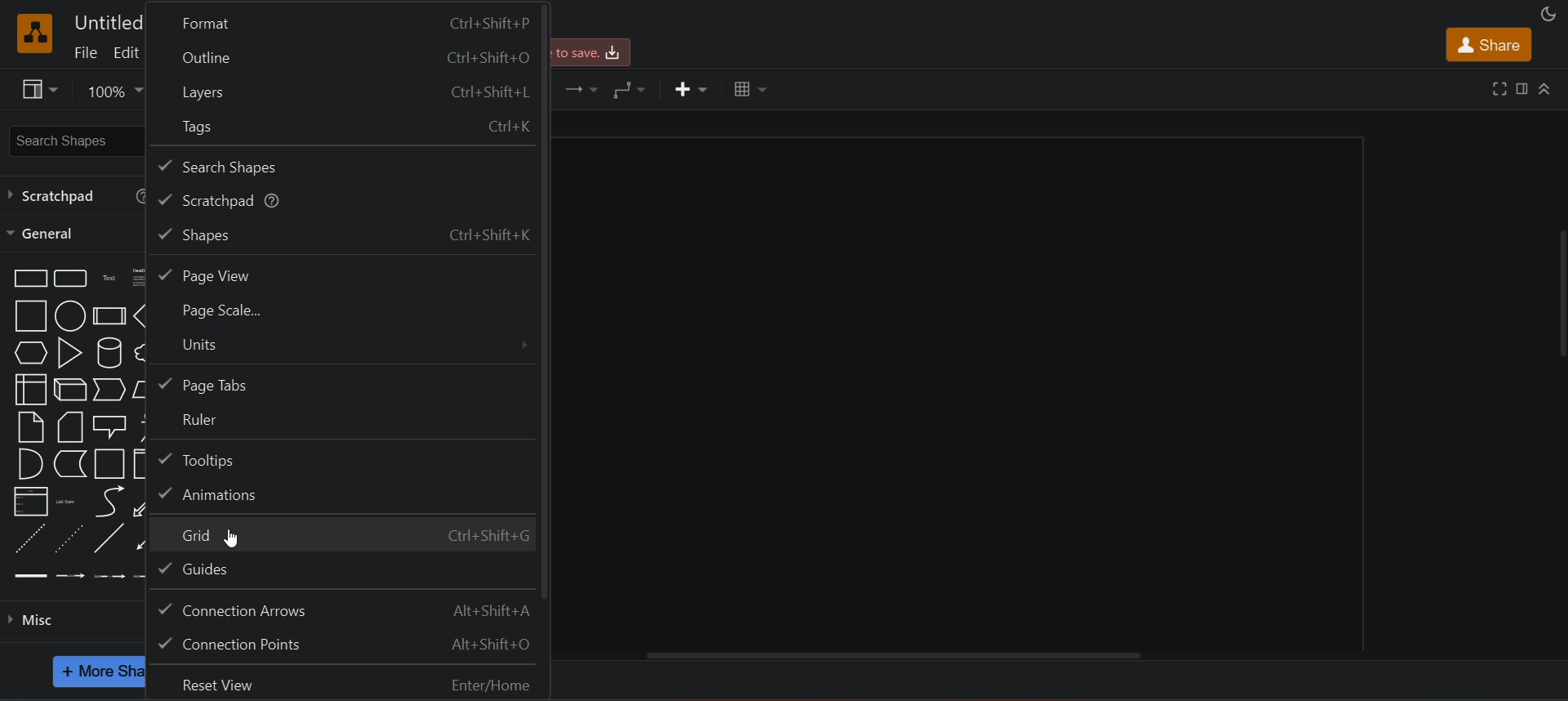  Describe the element at coordinates (348, 648) in the screenshot. I see `connection points` at that location.